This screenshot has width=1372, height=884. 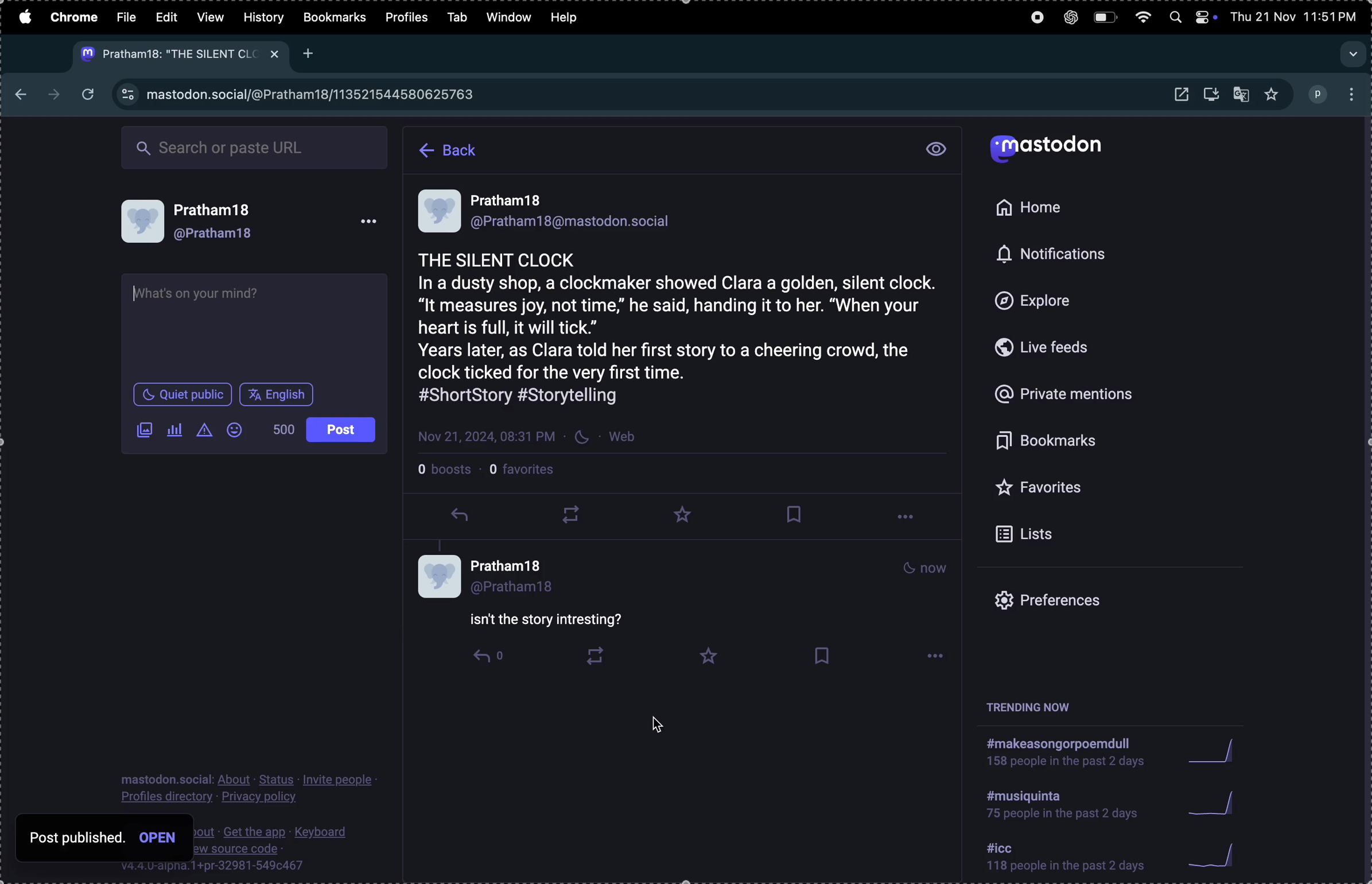 What do you see at coordinates (1051, 150) in the screenshot?
I see `mastodon logo` at bounding box center [1051, 150].